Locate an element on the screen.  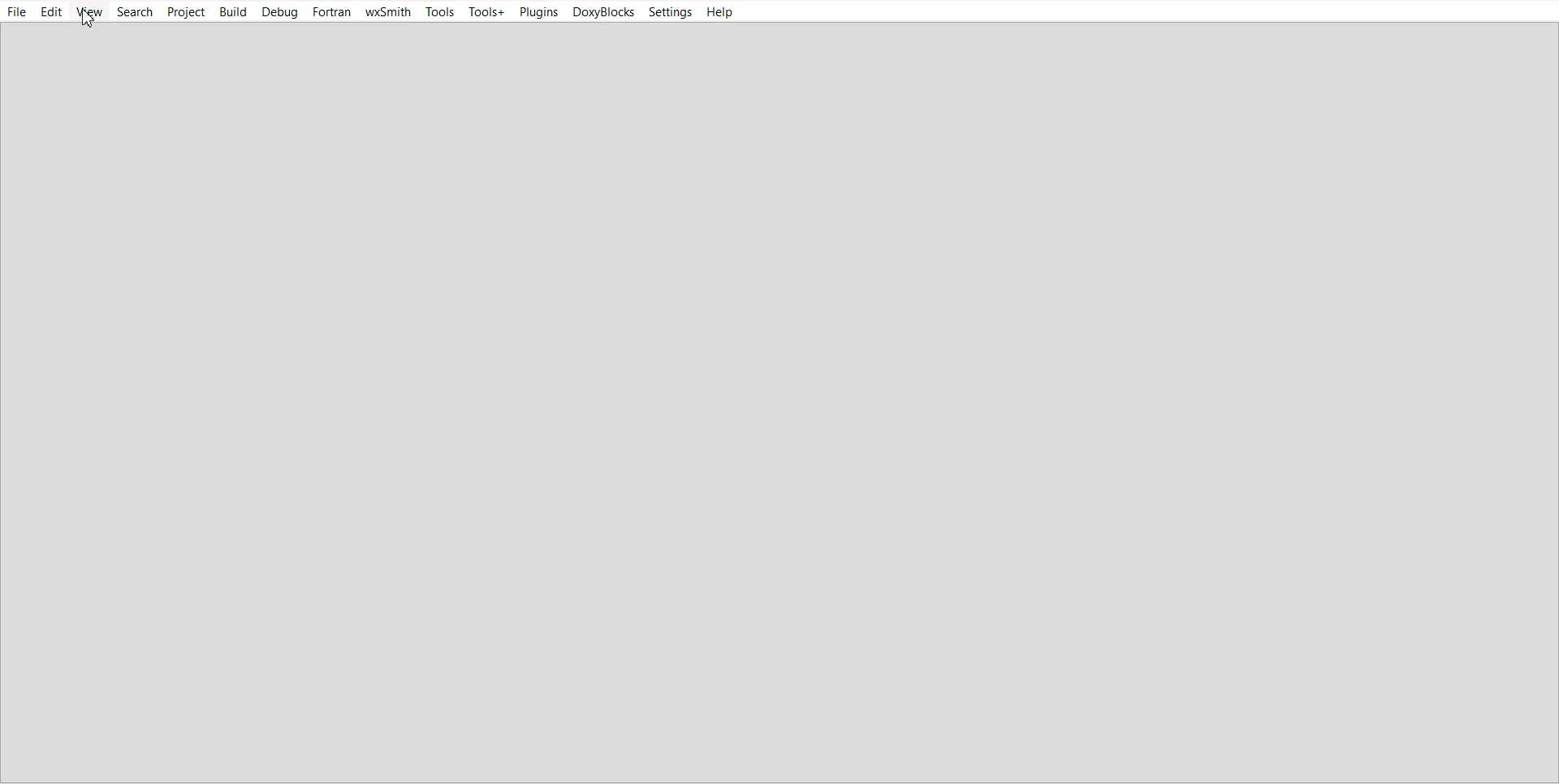
File is located at coordinates (18, 12).